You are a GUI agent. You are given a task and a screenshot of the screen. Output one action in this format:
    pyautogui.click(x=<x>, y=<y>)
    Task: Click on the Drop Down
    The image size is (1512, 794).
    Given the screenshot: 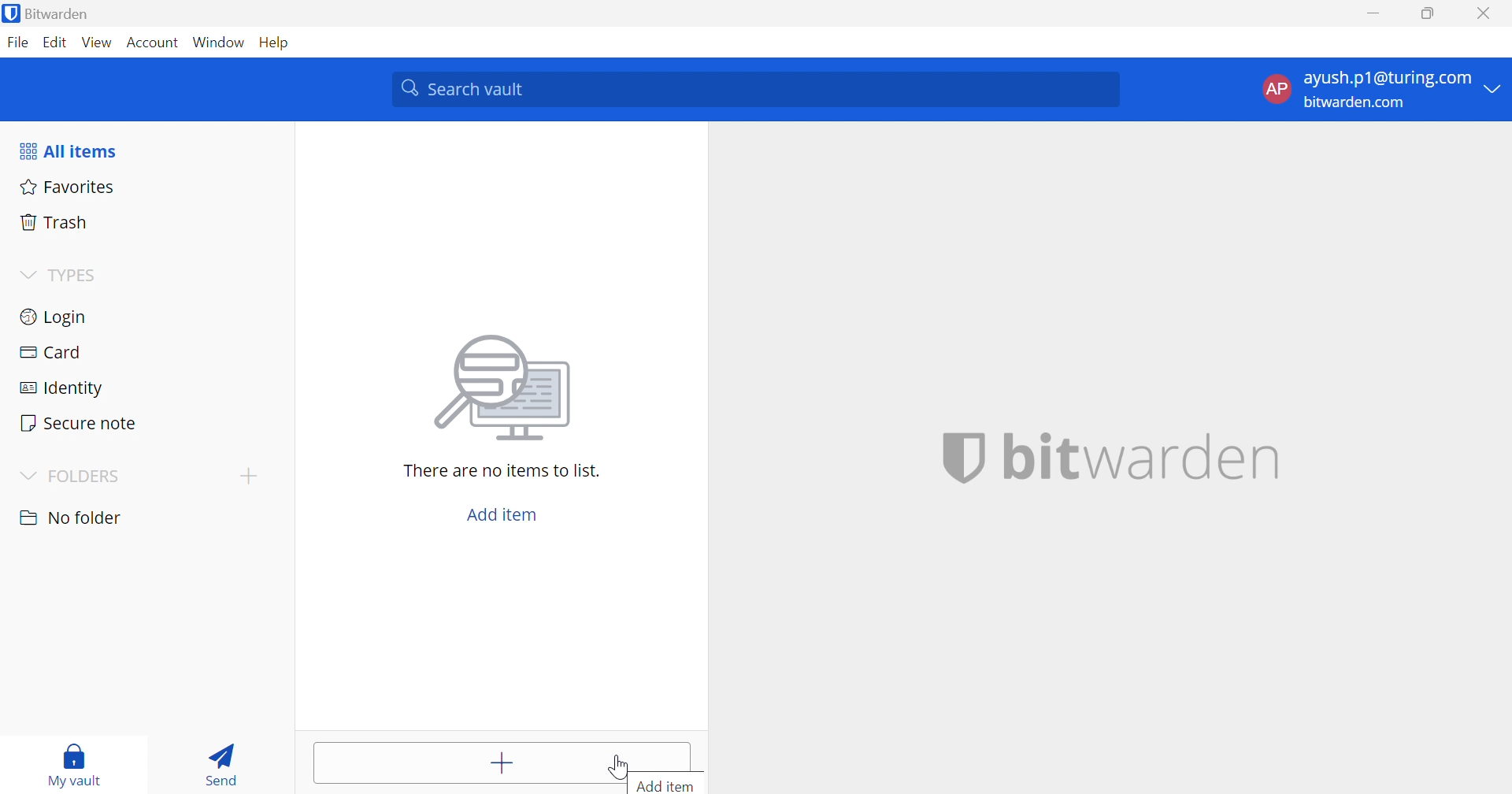 What is the action you would take?
    pyautogui.click(x=25, y=477)
    